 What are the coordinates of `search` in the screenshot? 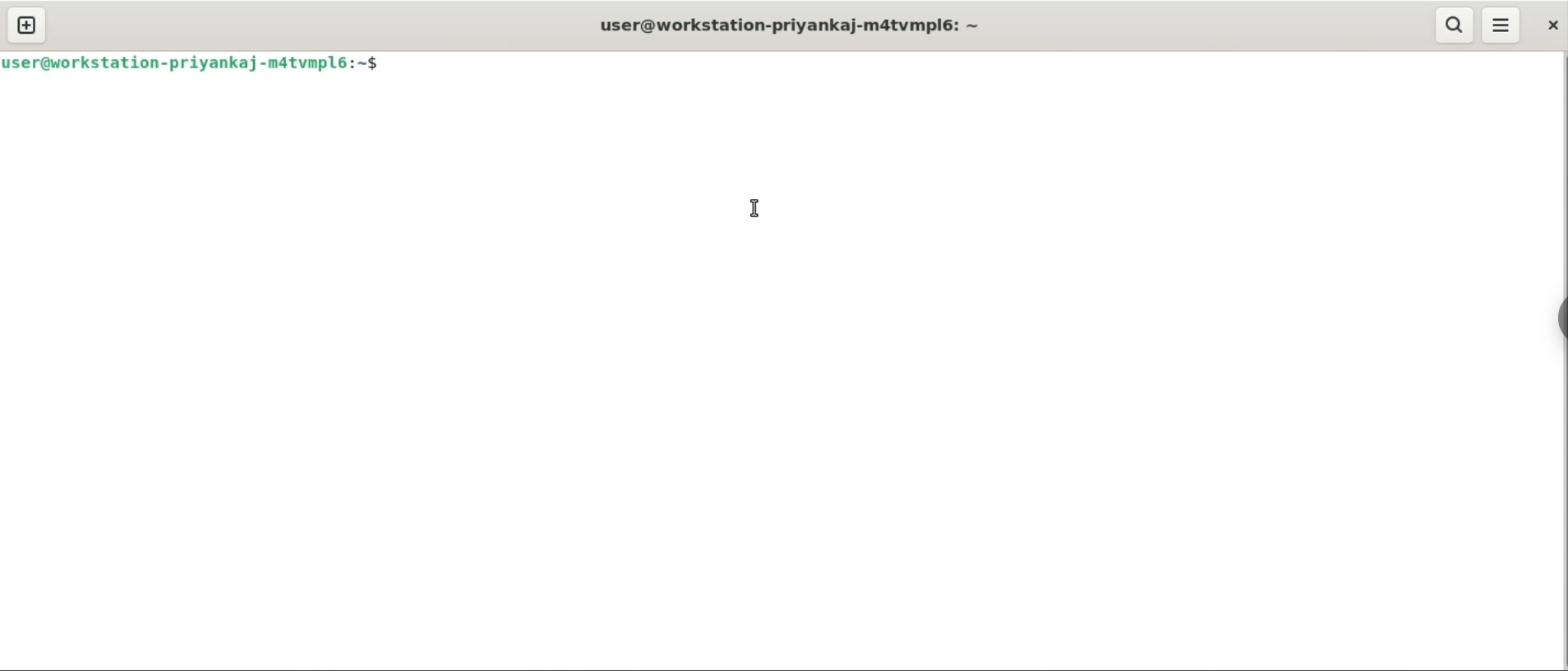 It's located at (1455, 26).